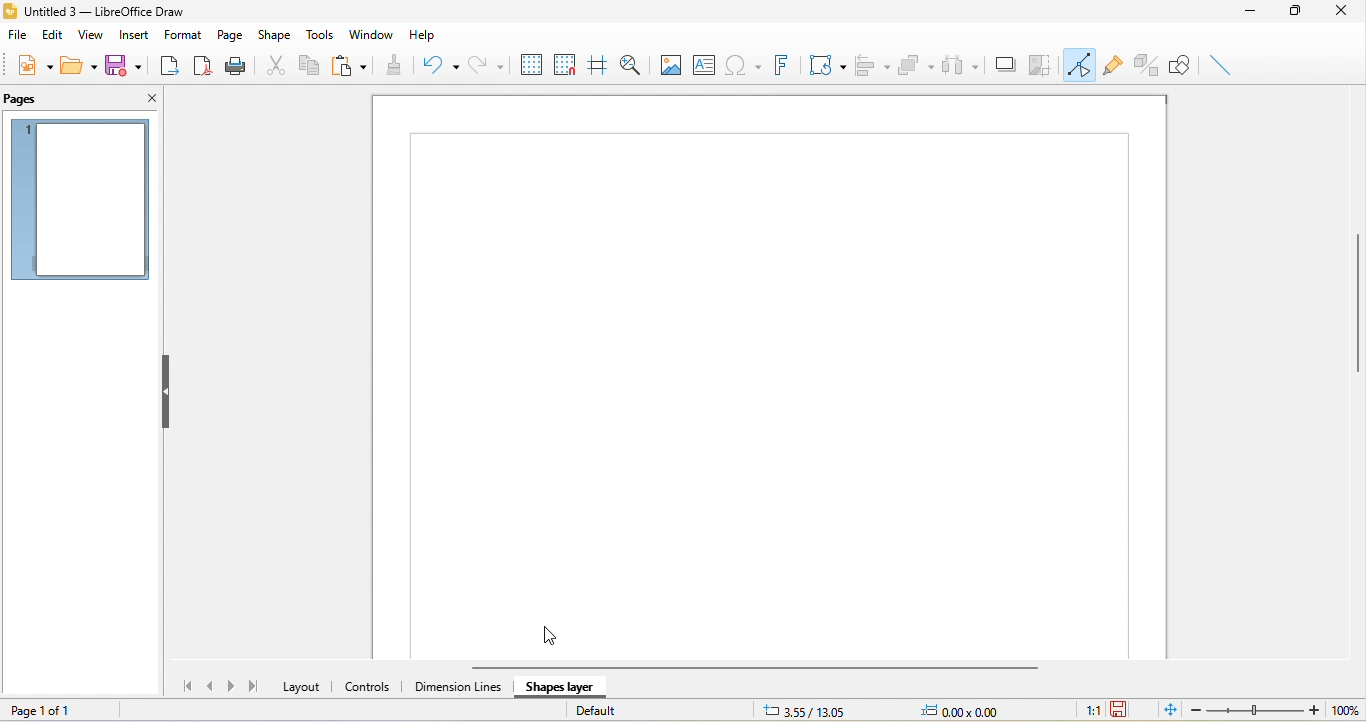  I want to click on align object, so click(876, 62).